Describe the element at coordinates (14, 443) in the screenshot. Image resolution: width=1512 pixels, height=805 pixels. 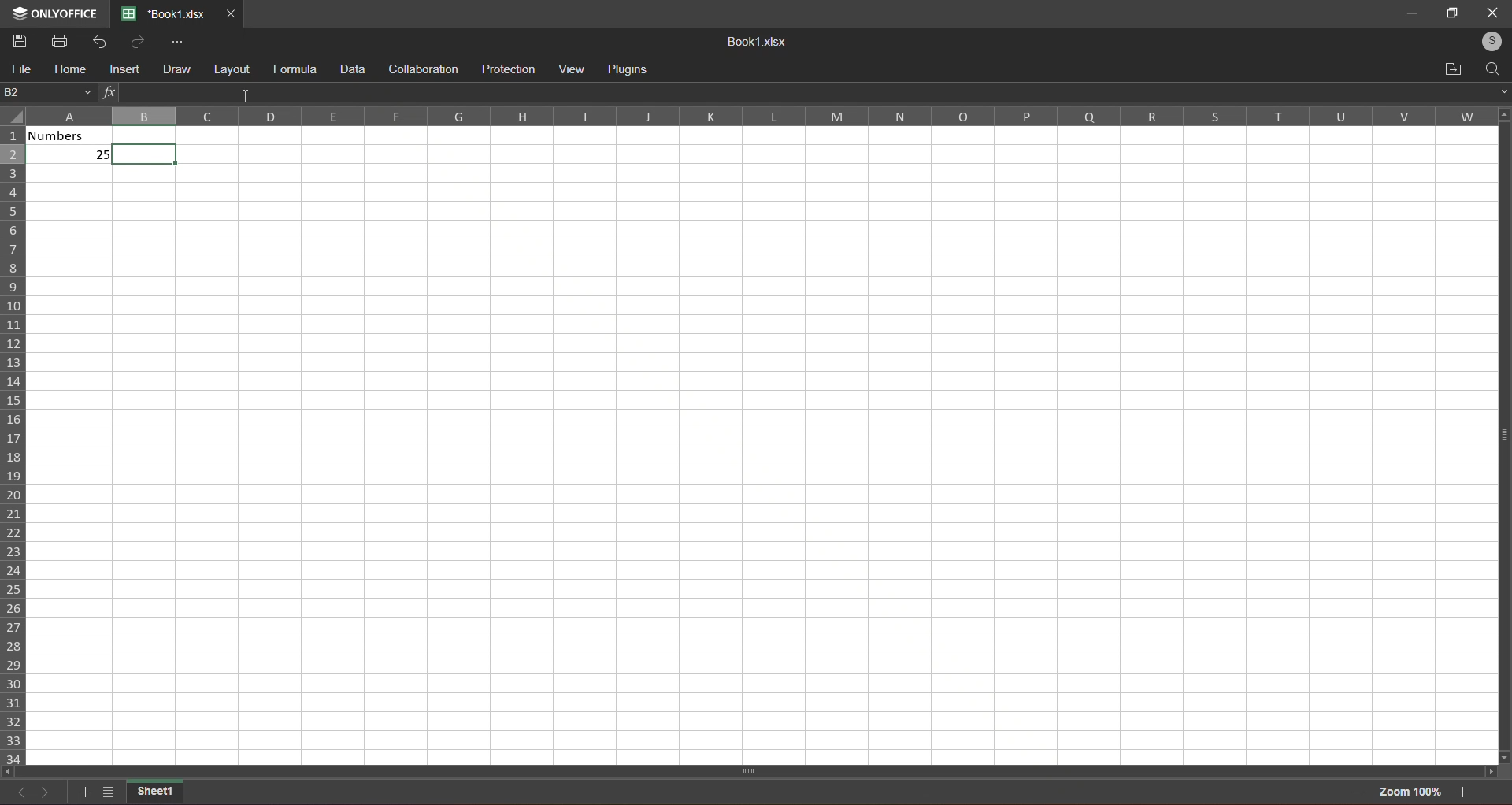
I see `row labels` at that location.